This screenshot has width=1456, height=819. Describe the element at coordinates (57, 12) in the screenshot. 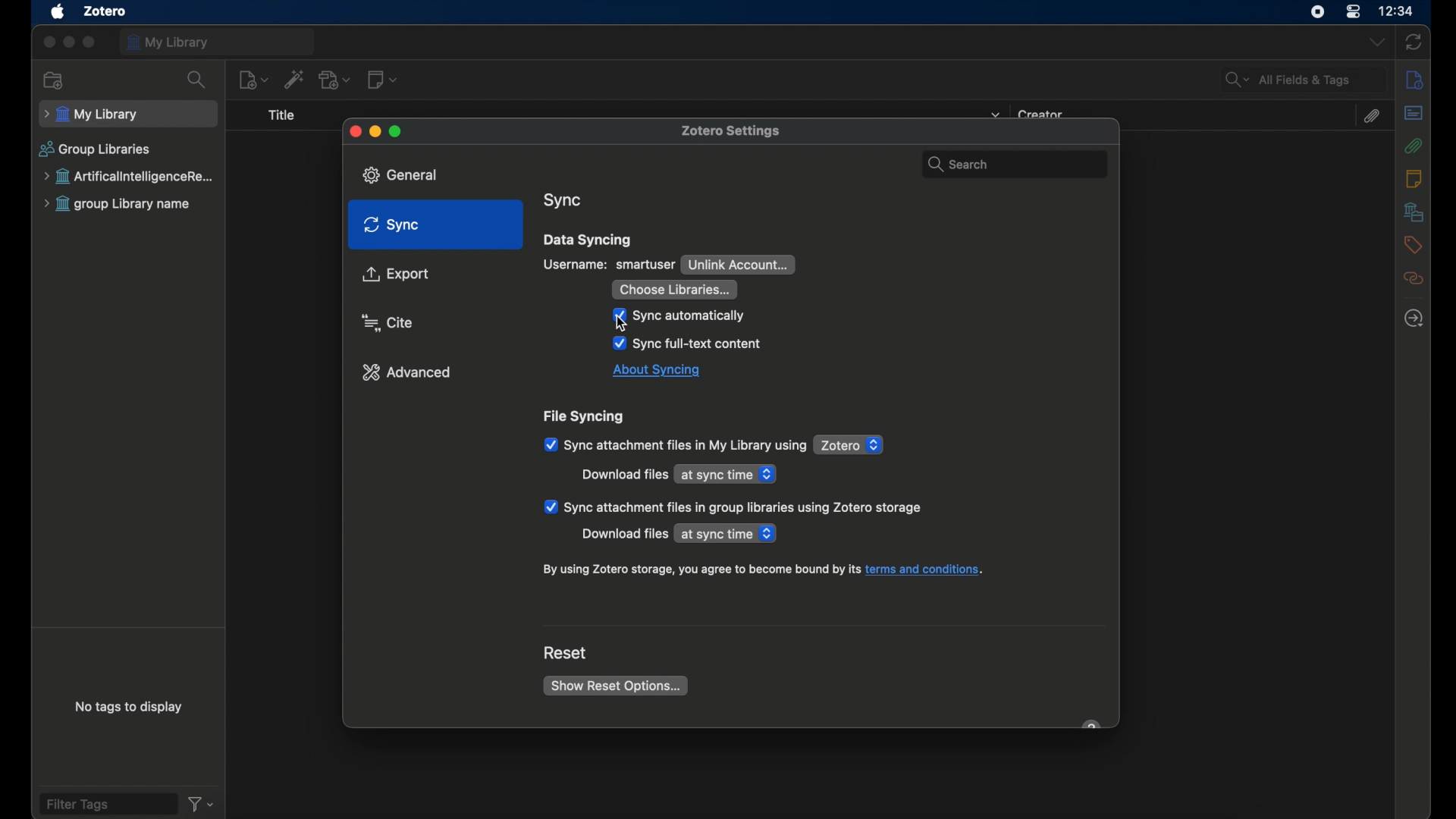

I see `apple icon` at that location.